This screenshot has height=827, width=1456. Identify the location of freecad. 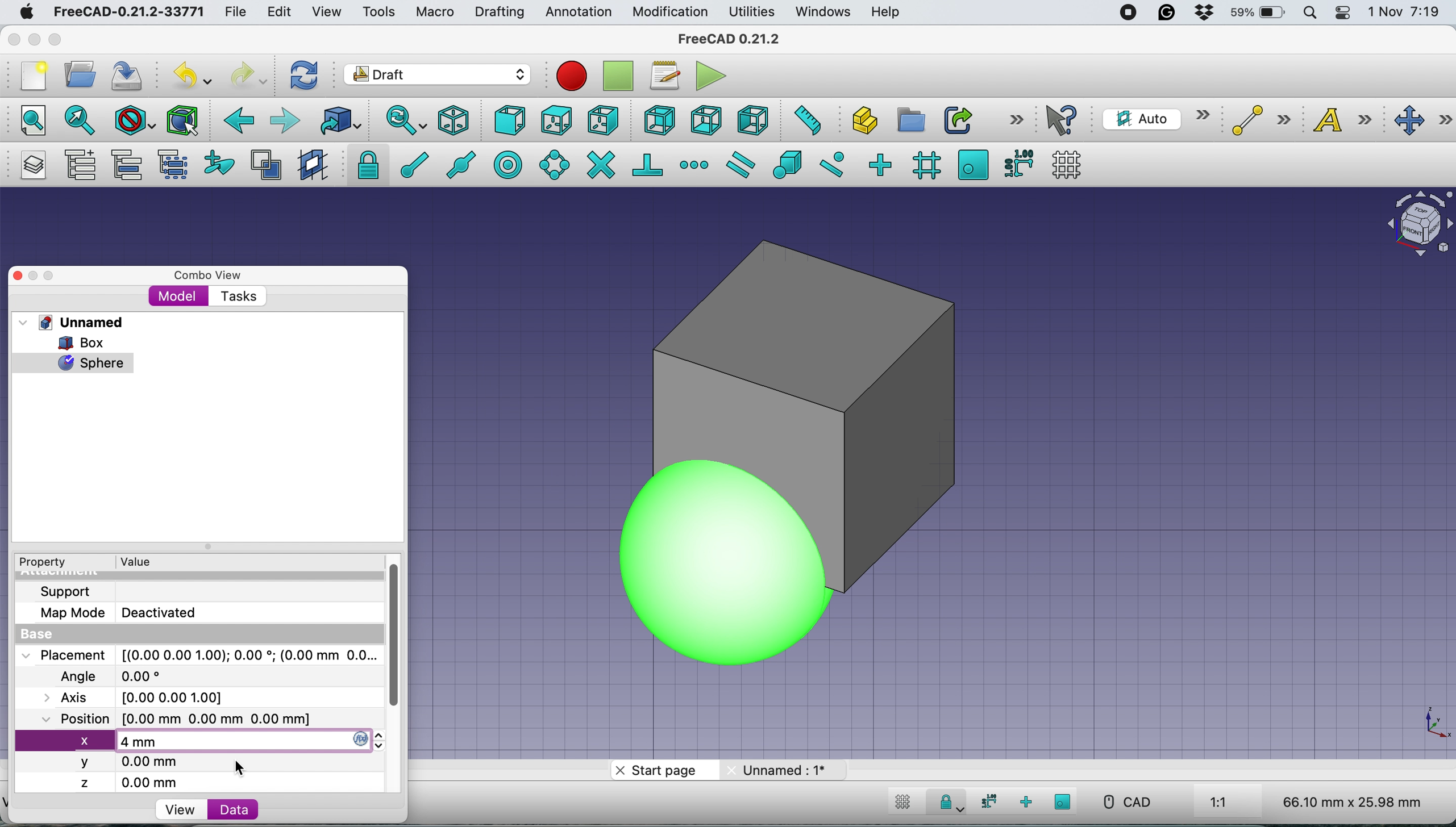
(128, 12).